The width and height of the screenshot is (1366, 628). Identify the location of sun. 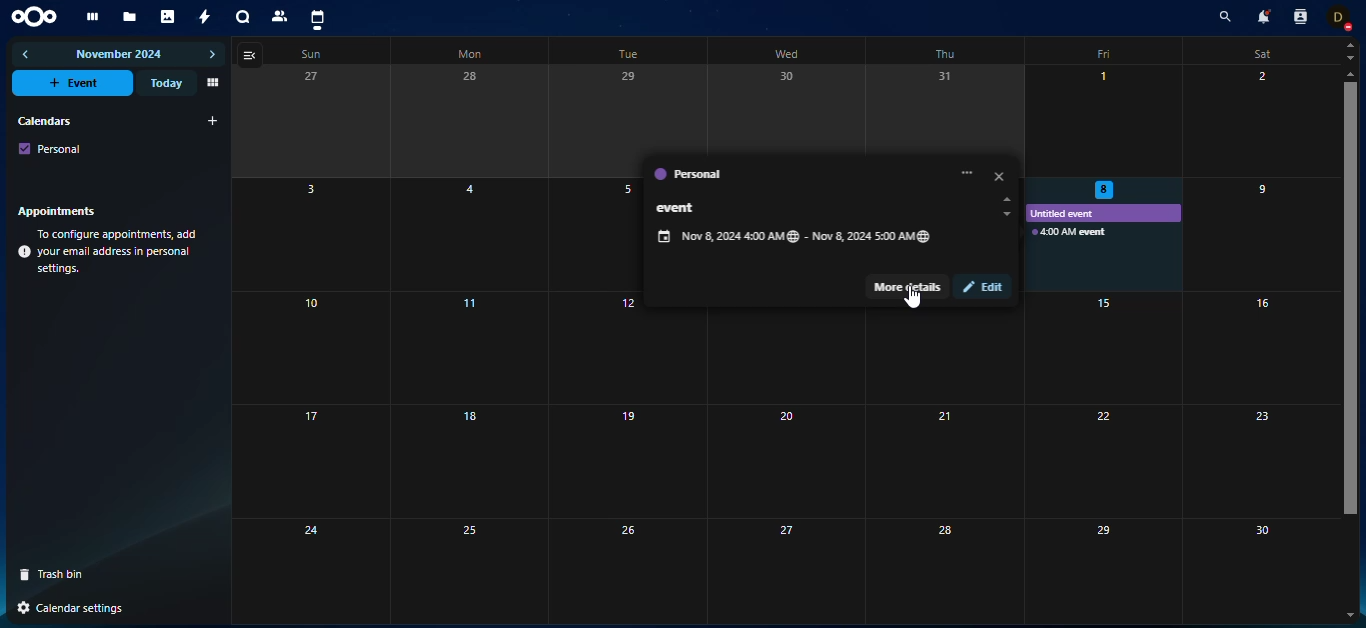
(308, 55).